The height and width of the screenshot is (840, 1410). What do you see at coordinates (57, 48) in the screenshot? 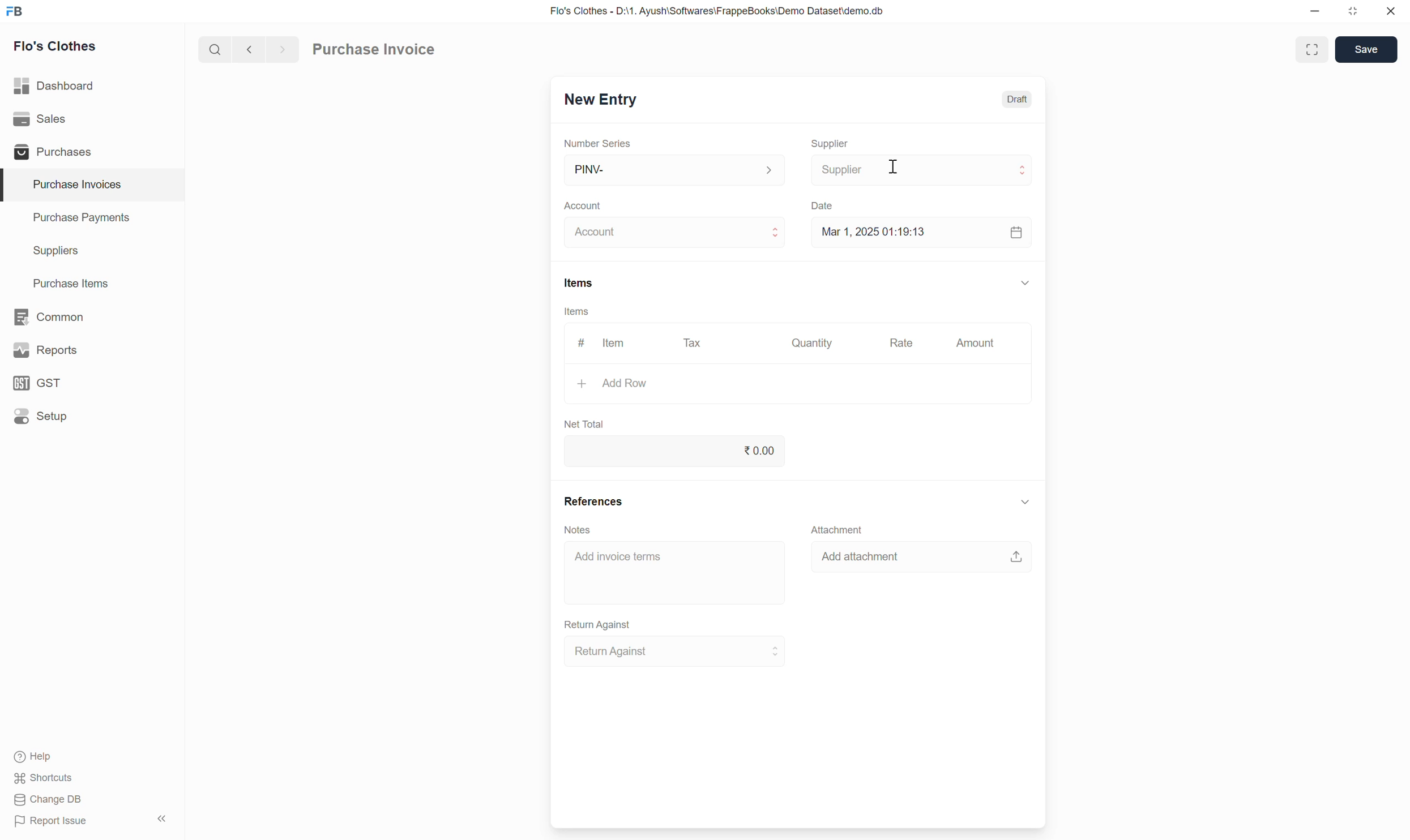
I see `Flo's Clothes` at bounding box center [57, 48].